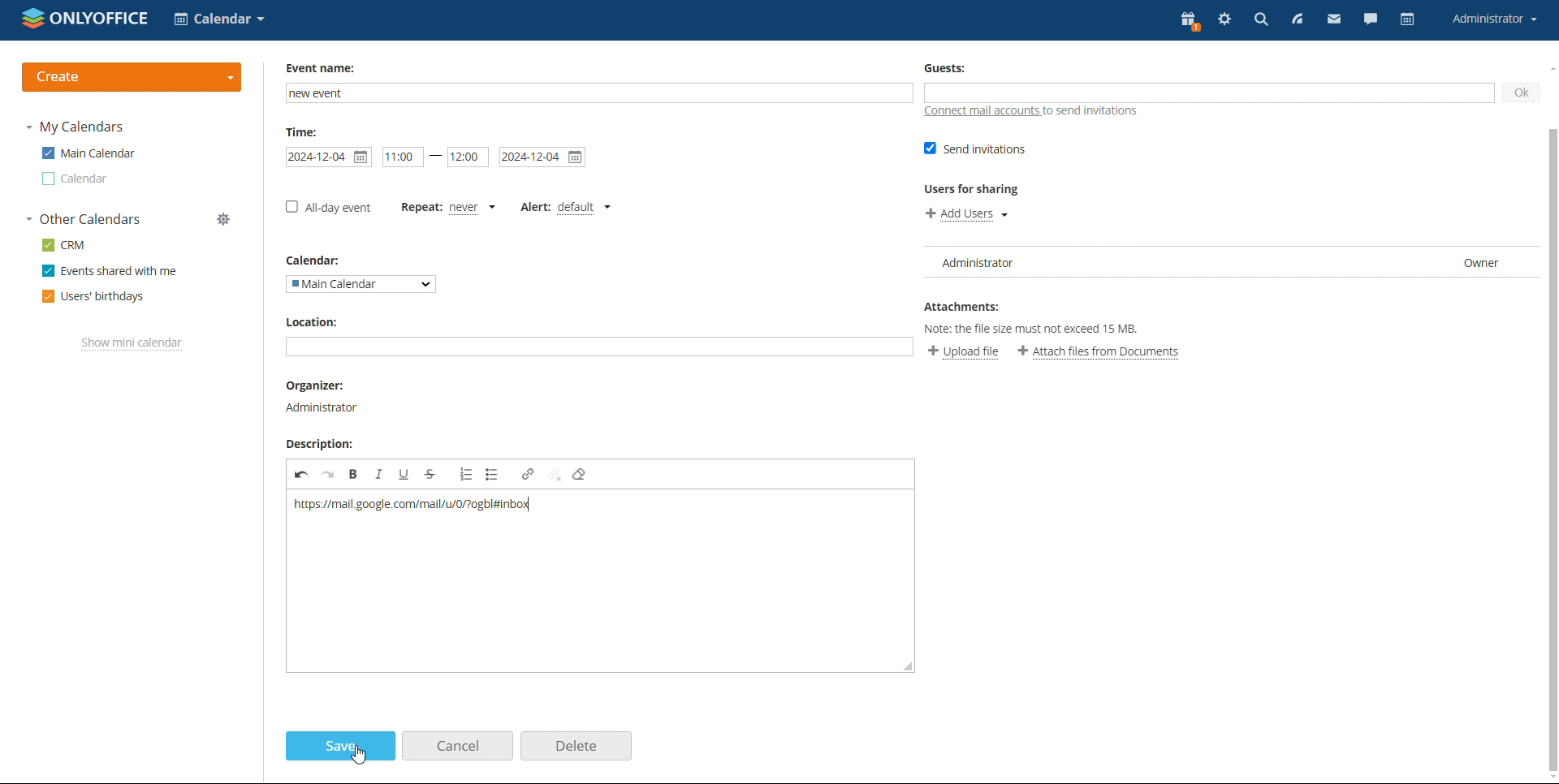 The height and width of the screenshot is (784, 1559). What do you see at coordinates (1033, 331) in the screenshot?
I see `Note: the file size must not exceed 15 MB.` at bounding box center [1033, 331].